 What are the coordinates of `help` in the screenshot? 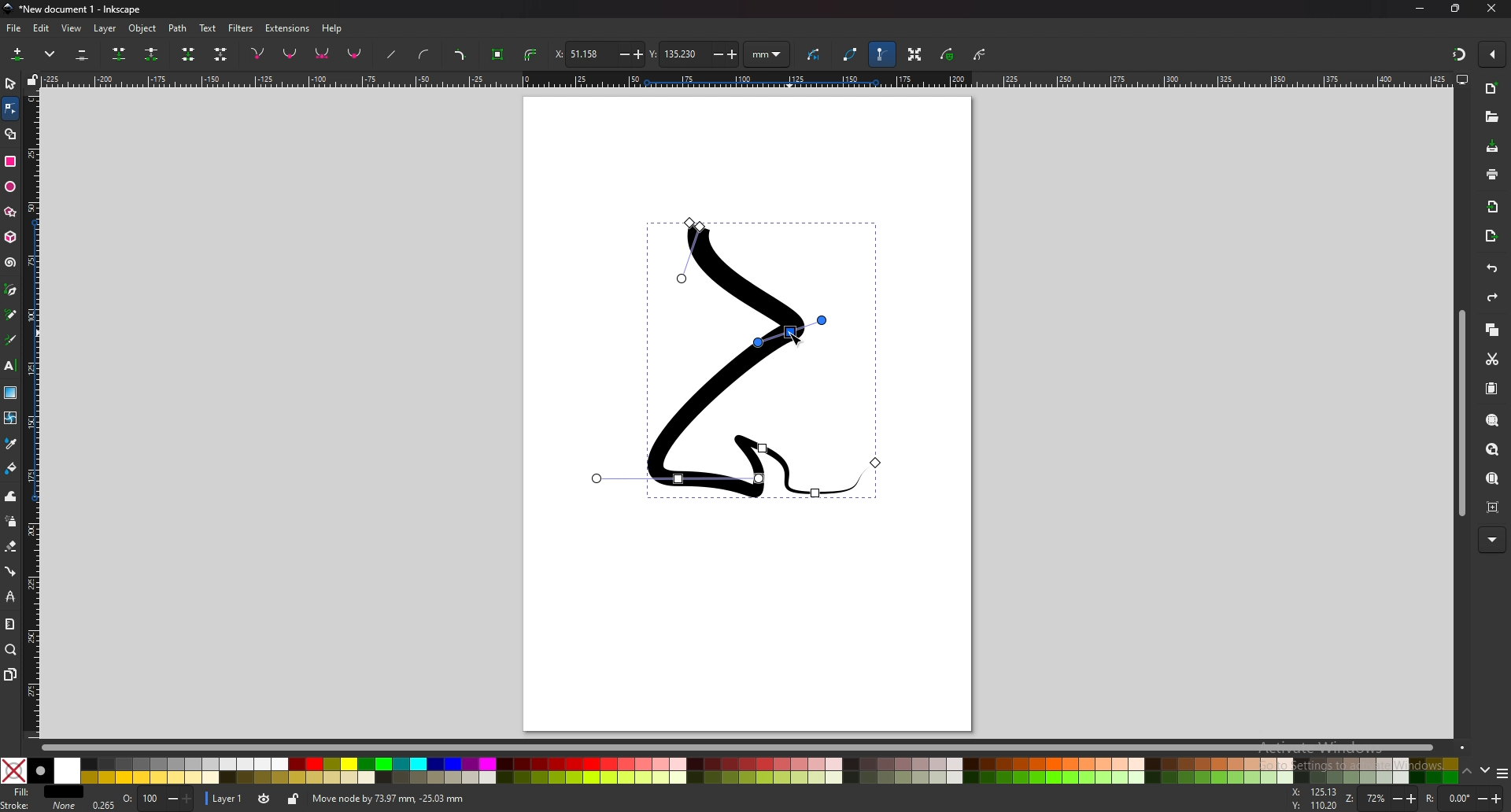 It's located at (334, 28).